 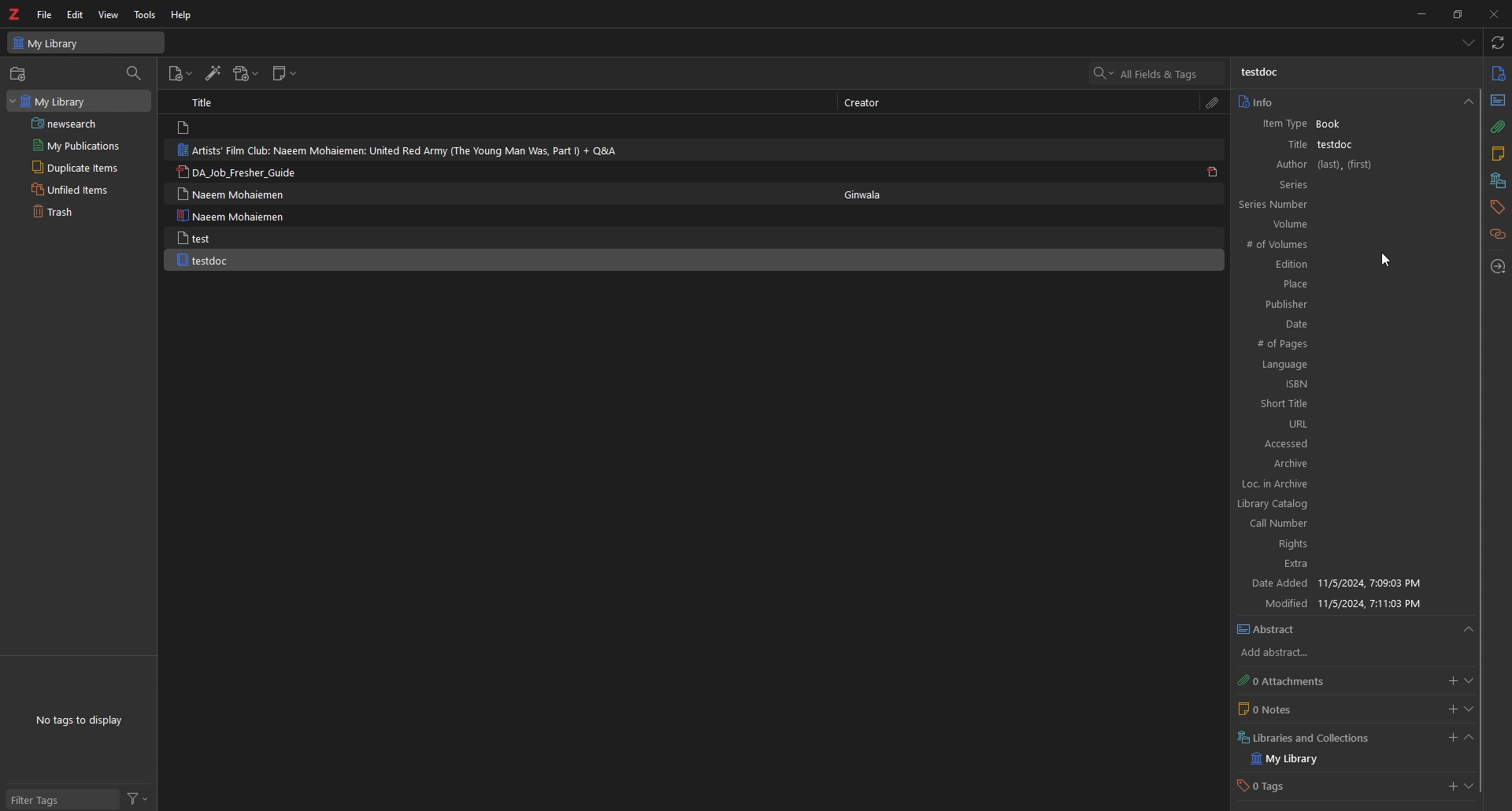 I want to click on help, so click(x=182, y=15).